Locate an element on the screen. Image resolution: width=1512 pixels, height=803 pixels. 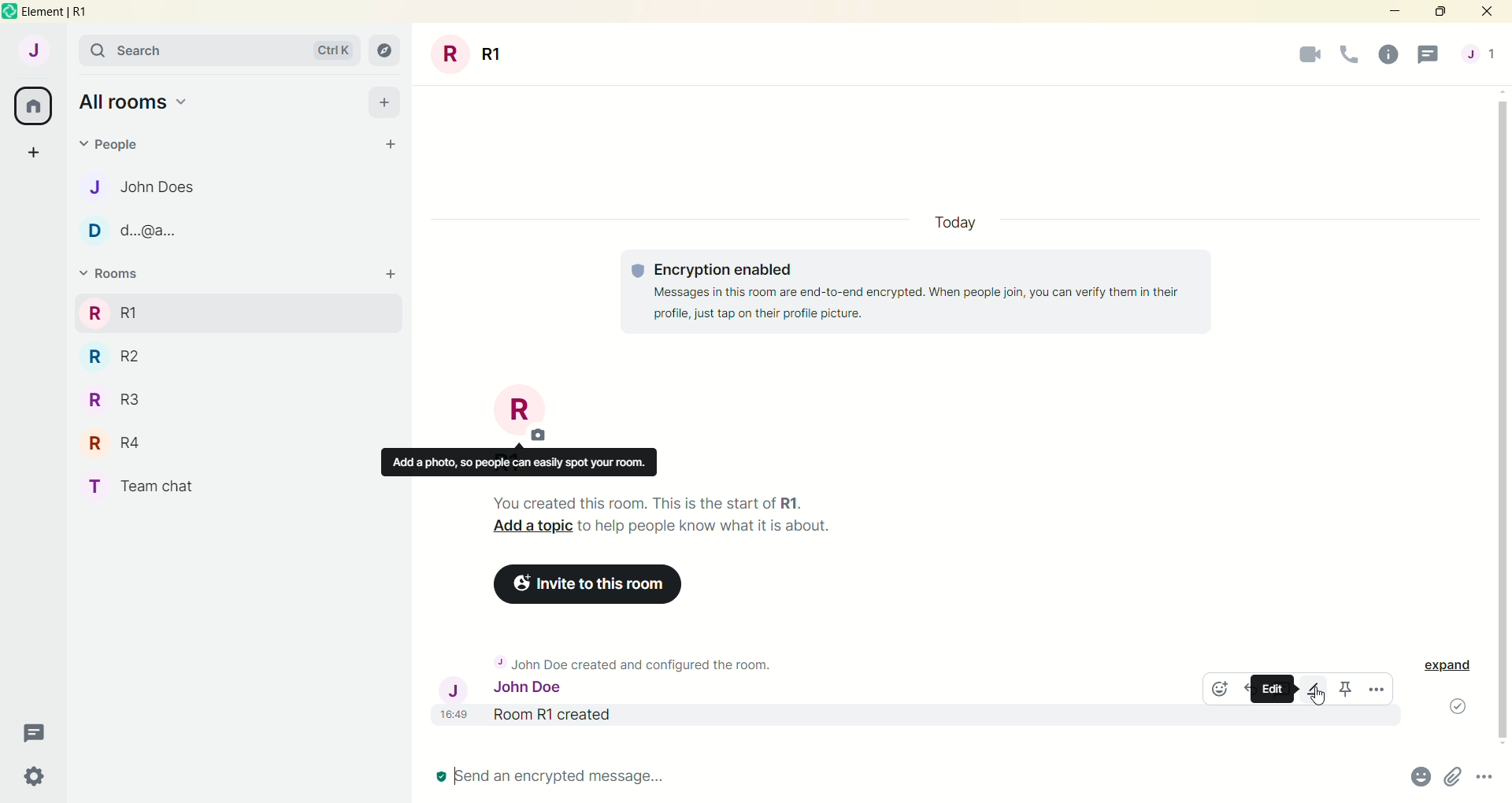
Cursor is located at coordinates (1315, 697).